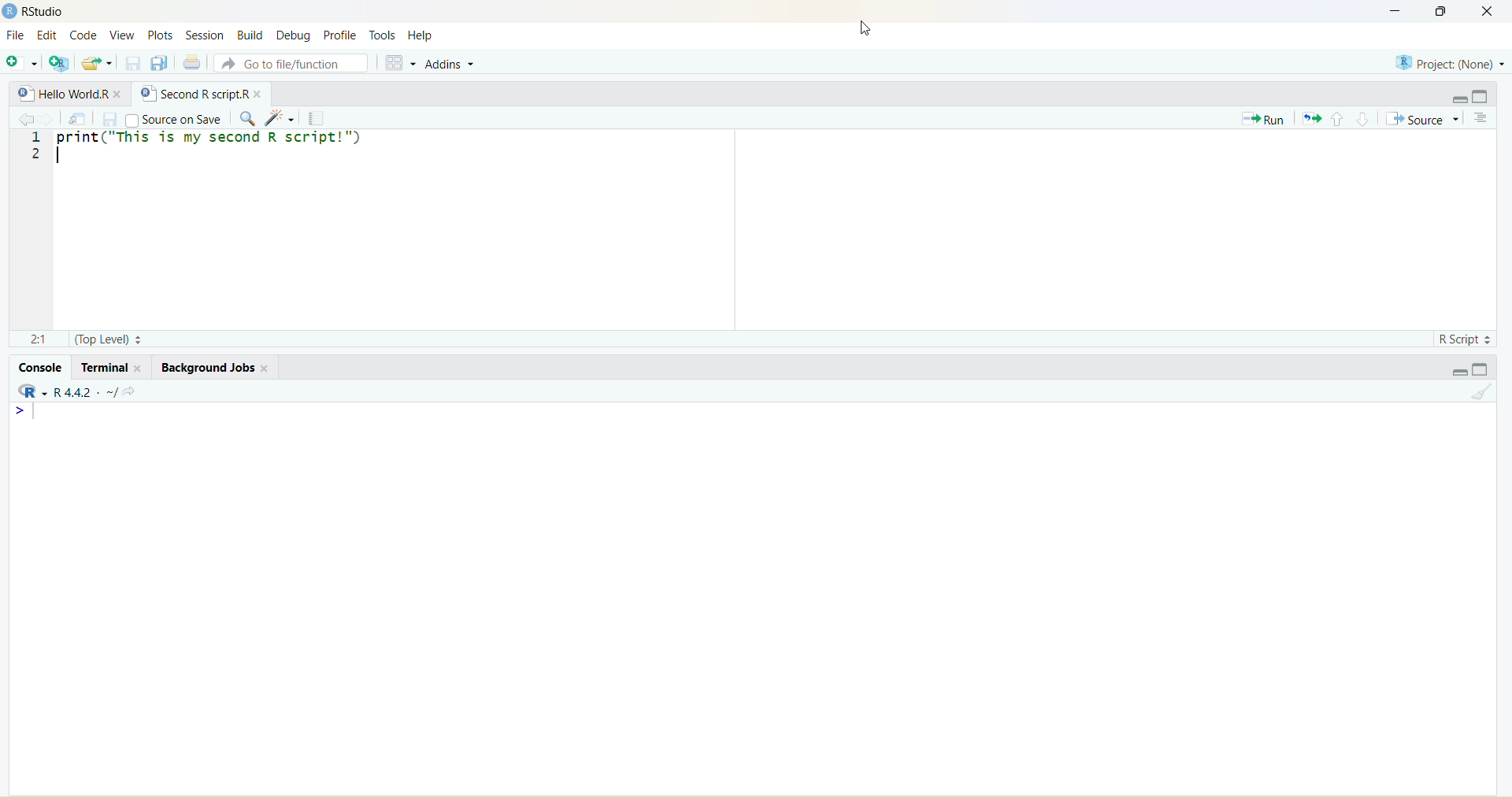 The width and height of the screenshot is (1512, 797). I want to click on Show document outline (Ctrl + Shift + O), so click(1483, 118).